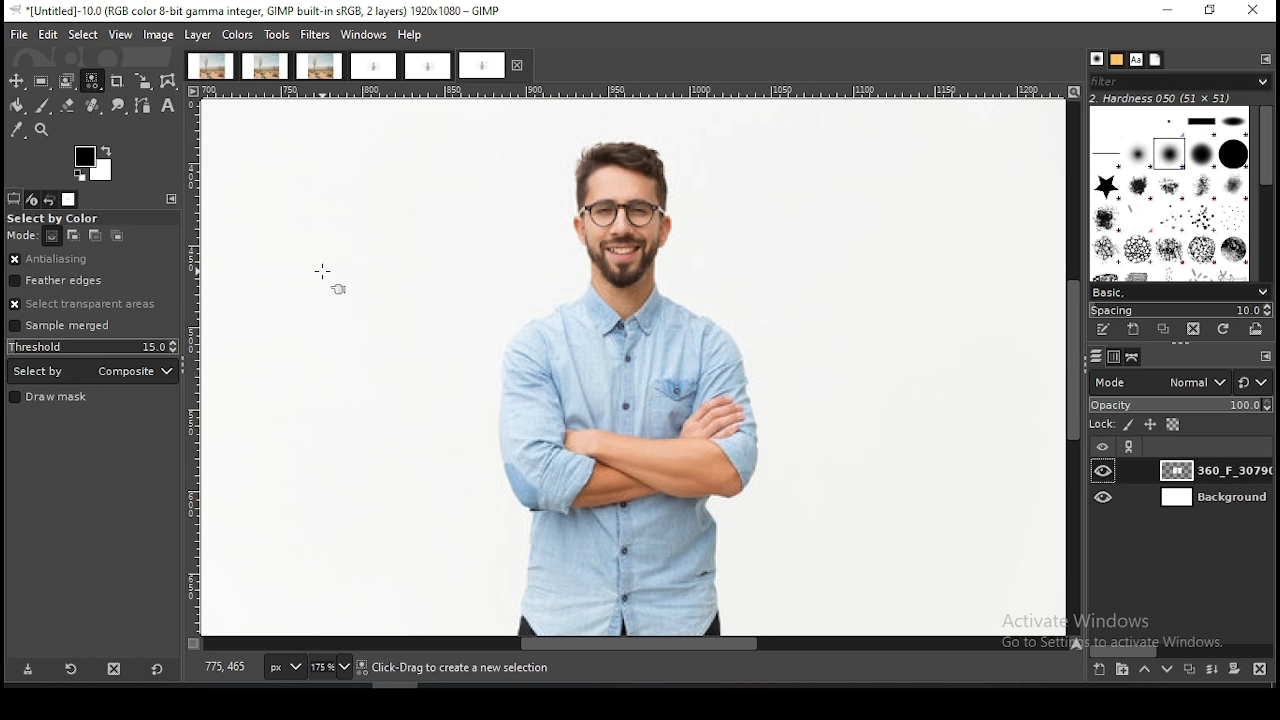 The image size is (1280, 720). Describe the element at coordinates (157, 667) in the screenshot. I see `reset` at that location.